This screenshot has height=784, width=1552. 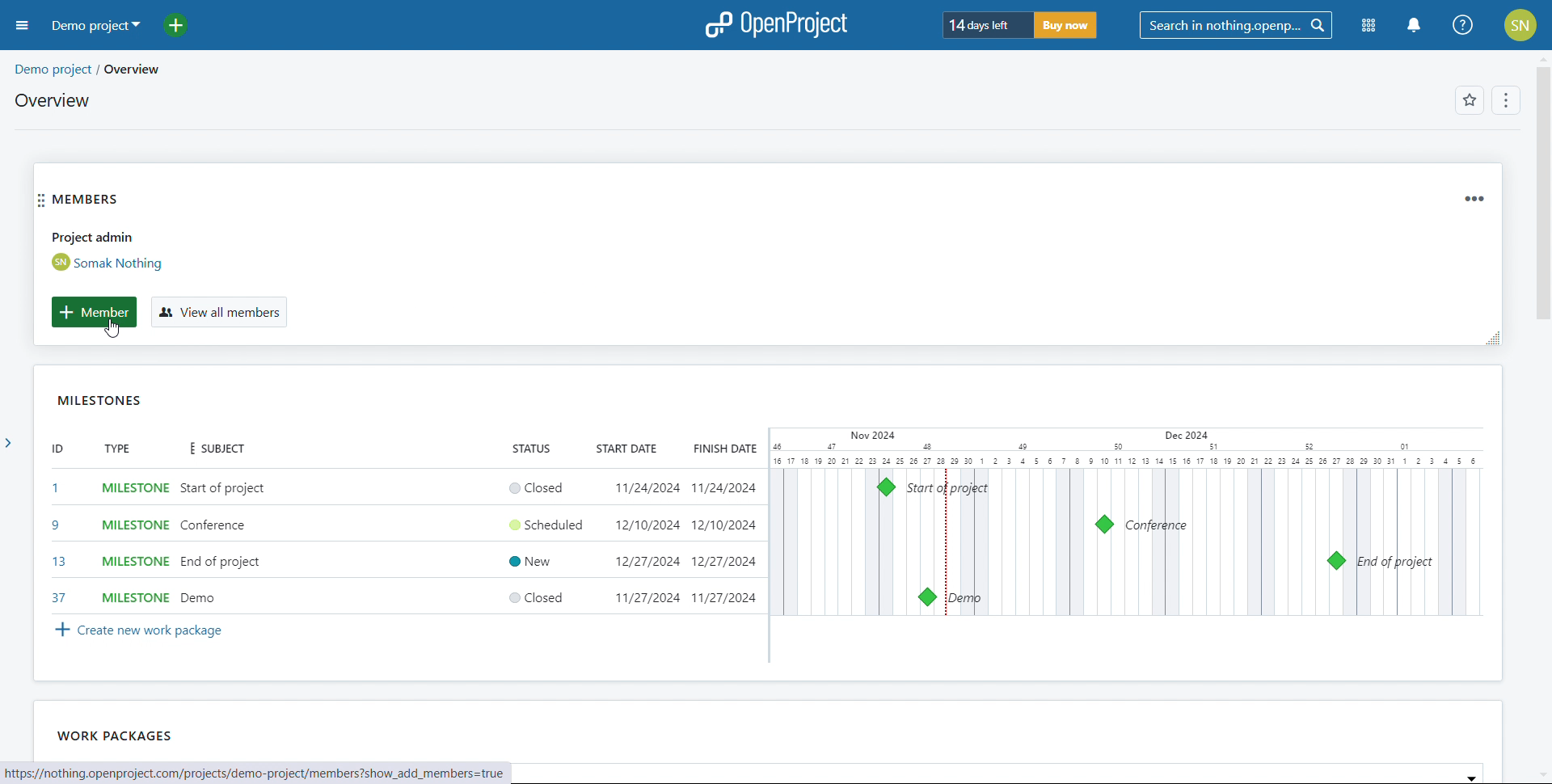 What do you see at coordinates (91, 26) in the screenshot?
I see `demo project selected` at bounding box center [91, 26].